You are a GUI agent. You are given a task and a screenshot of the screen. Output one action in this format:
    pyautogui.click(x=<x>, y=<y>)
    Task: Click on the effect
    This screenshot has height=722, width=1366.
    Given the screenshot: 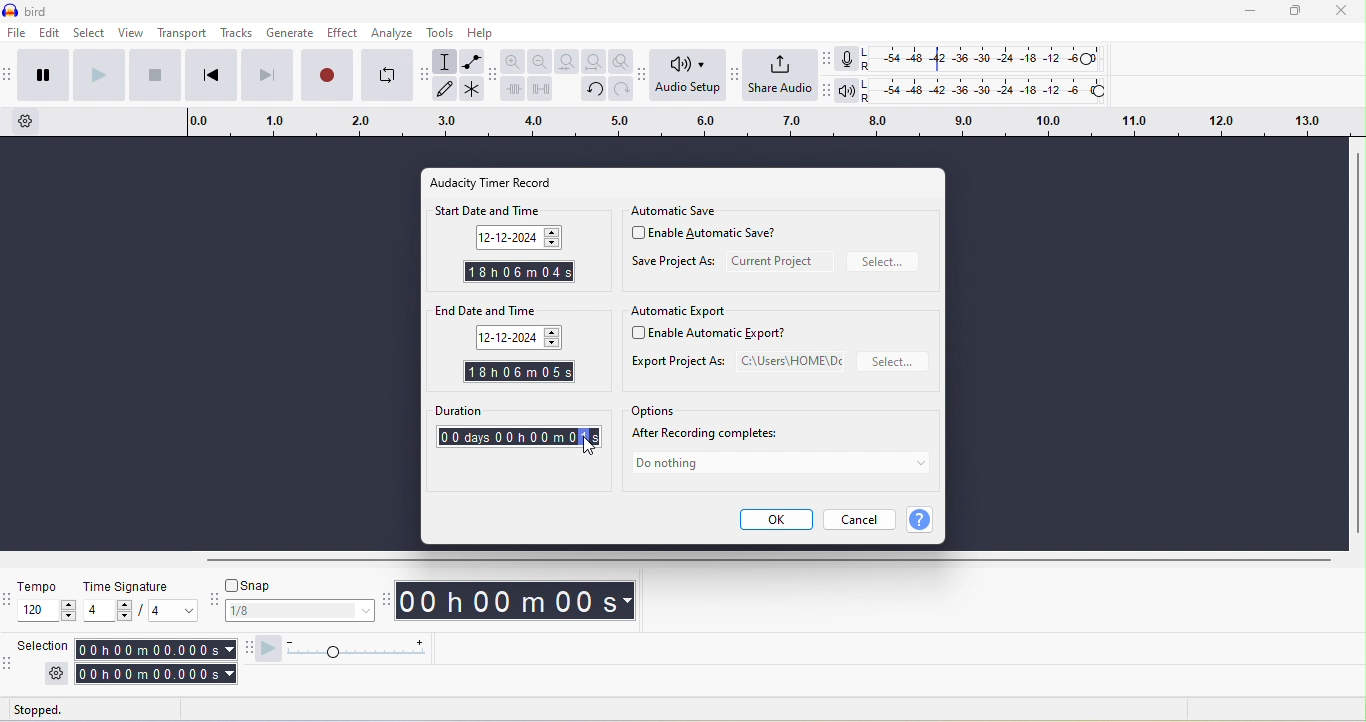 What is the action you would take?
    pyautogui.click(x=340, y=34)
    